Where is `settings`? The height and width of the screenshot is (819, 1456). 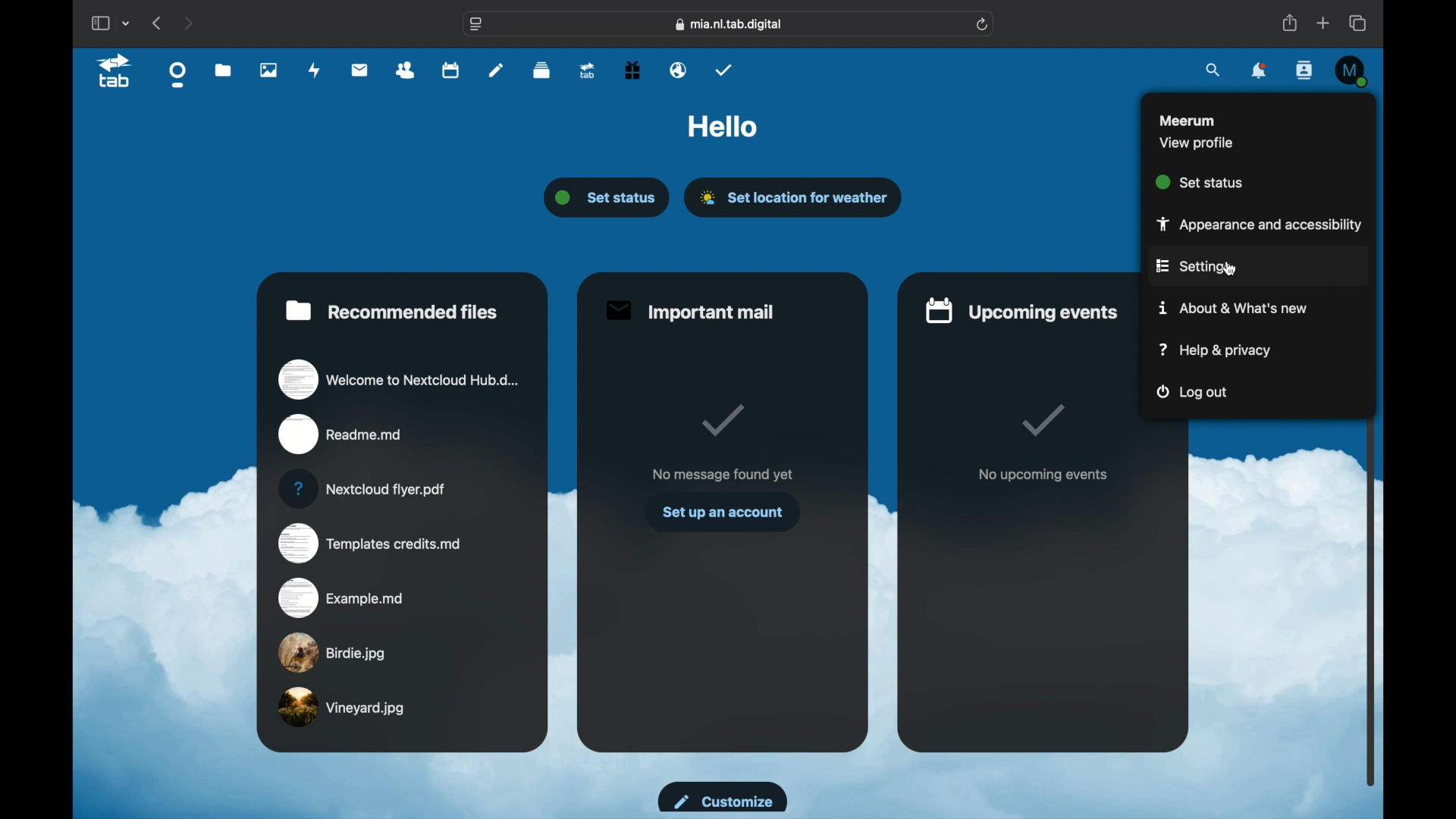 settings is located at coordinates (1192, 267).